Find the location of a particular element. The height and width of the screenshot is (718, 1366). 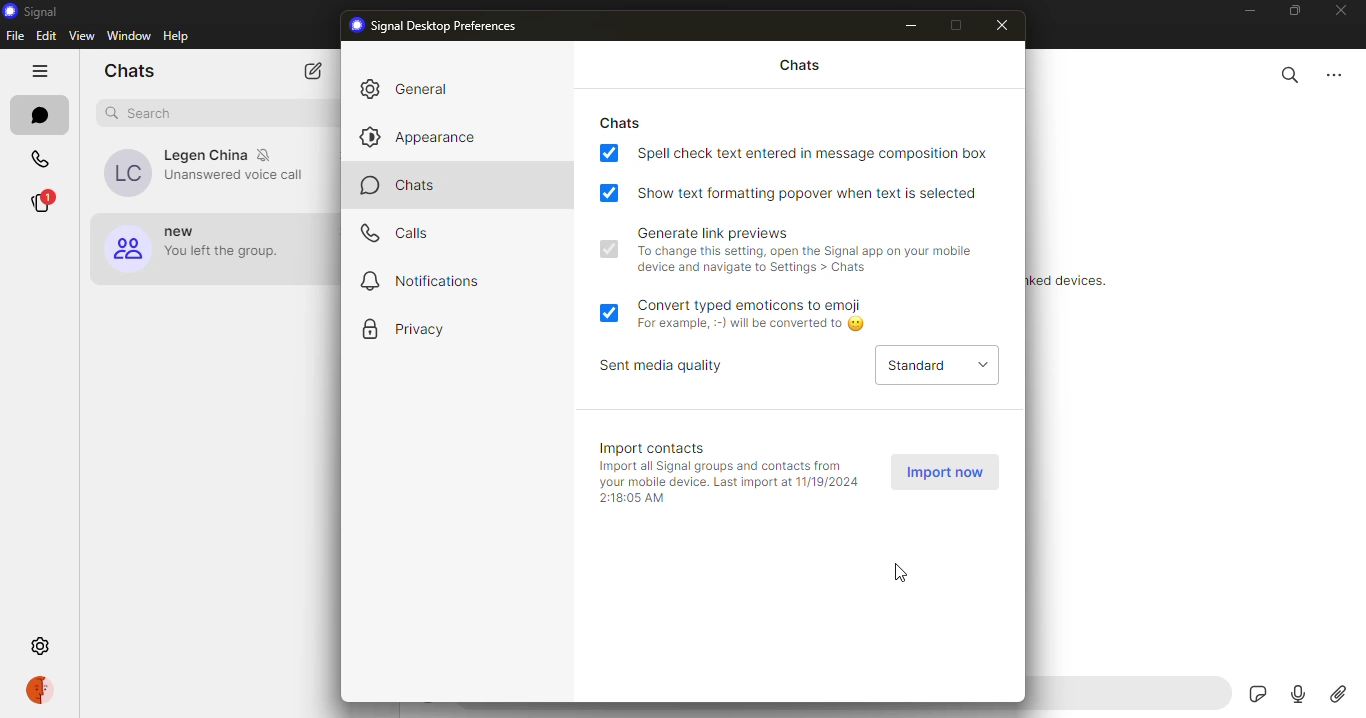

spell check is located at coordinates (822, 153).